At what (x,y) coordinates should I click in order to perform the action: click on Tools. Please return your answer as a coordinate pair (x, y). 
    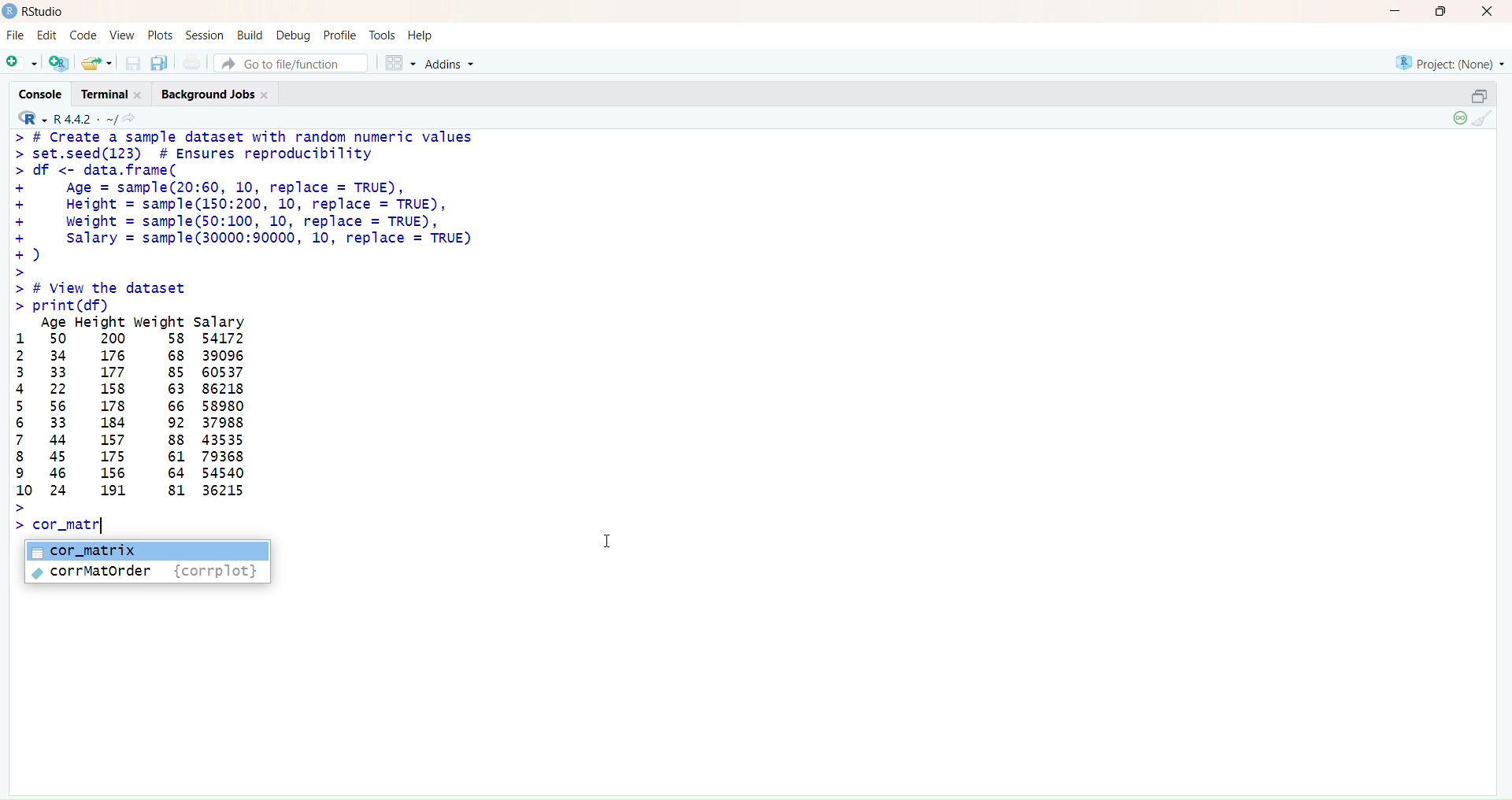
    Looking at the image, I should click on (381, 34).